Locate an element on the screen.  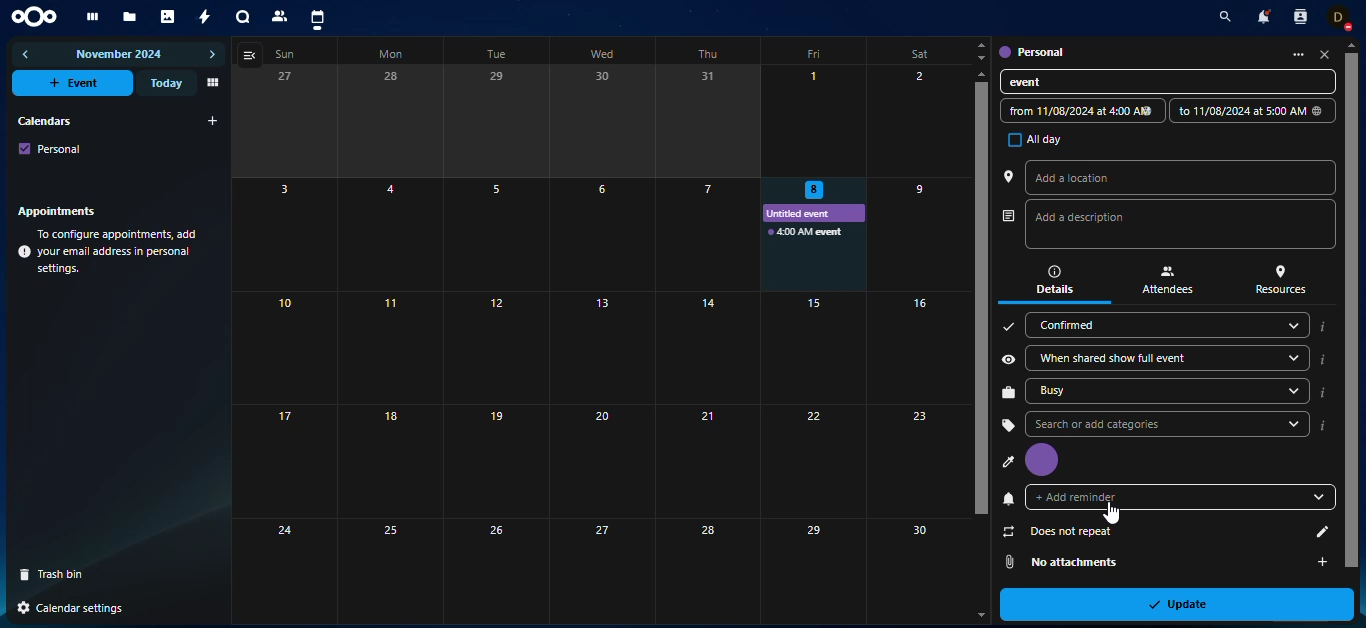
1 is located at coordinates (815, 121).